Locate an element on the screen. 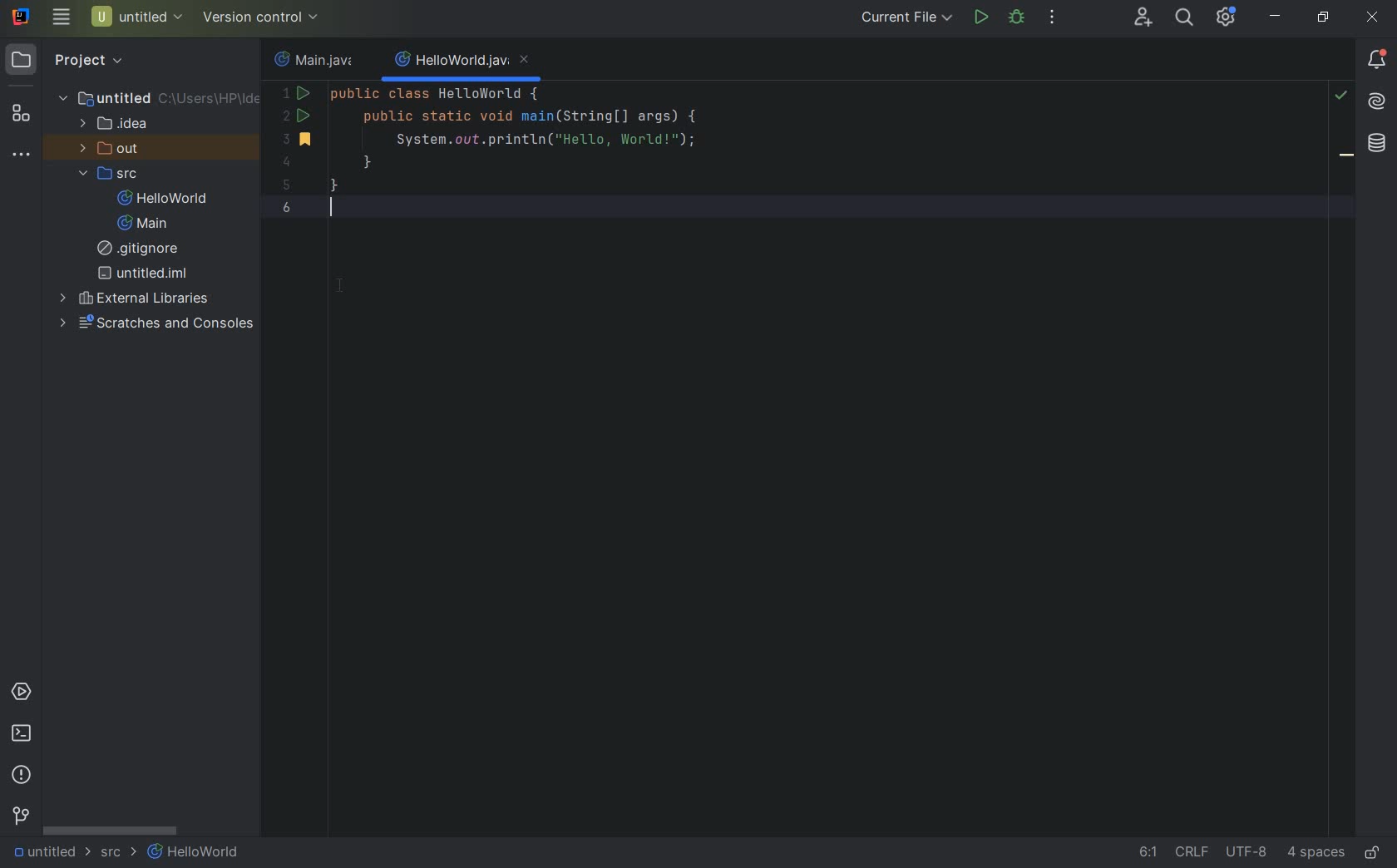  untitled is located at coordinates (143, 273).